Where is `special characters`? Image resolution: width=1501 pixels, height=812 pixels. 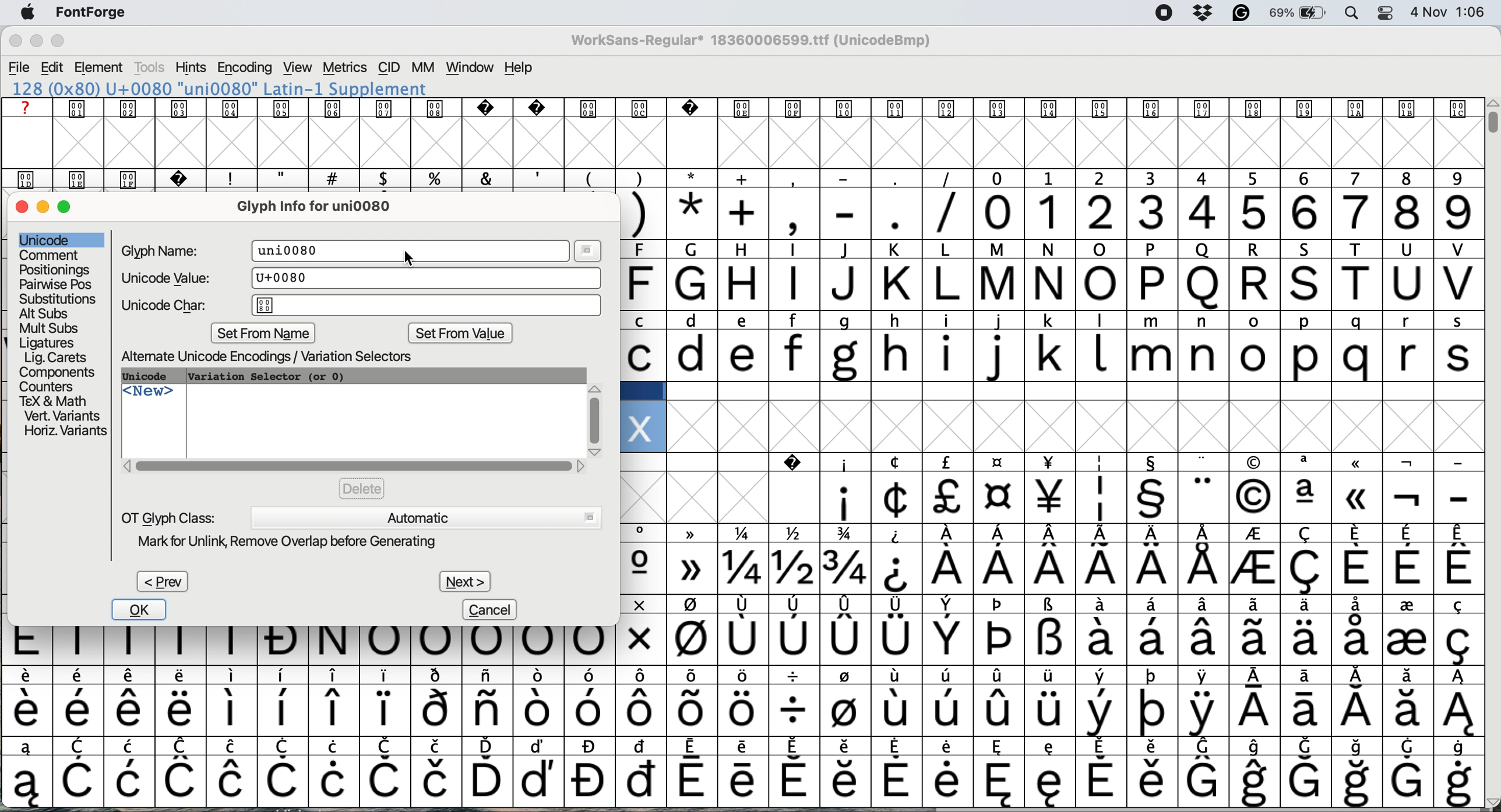
special characters is located at coordinates (739, 781).